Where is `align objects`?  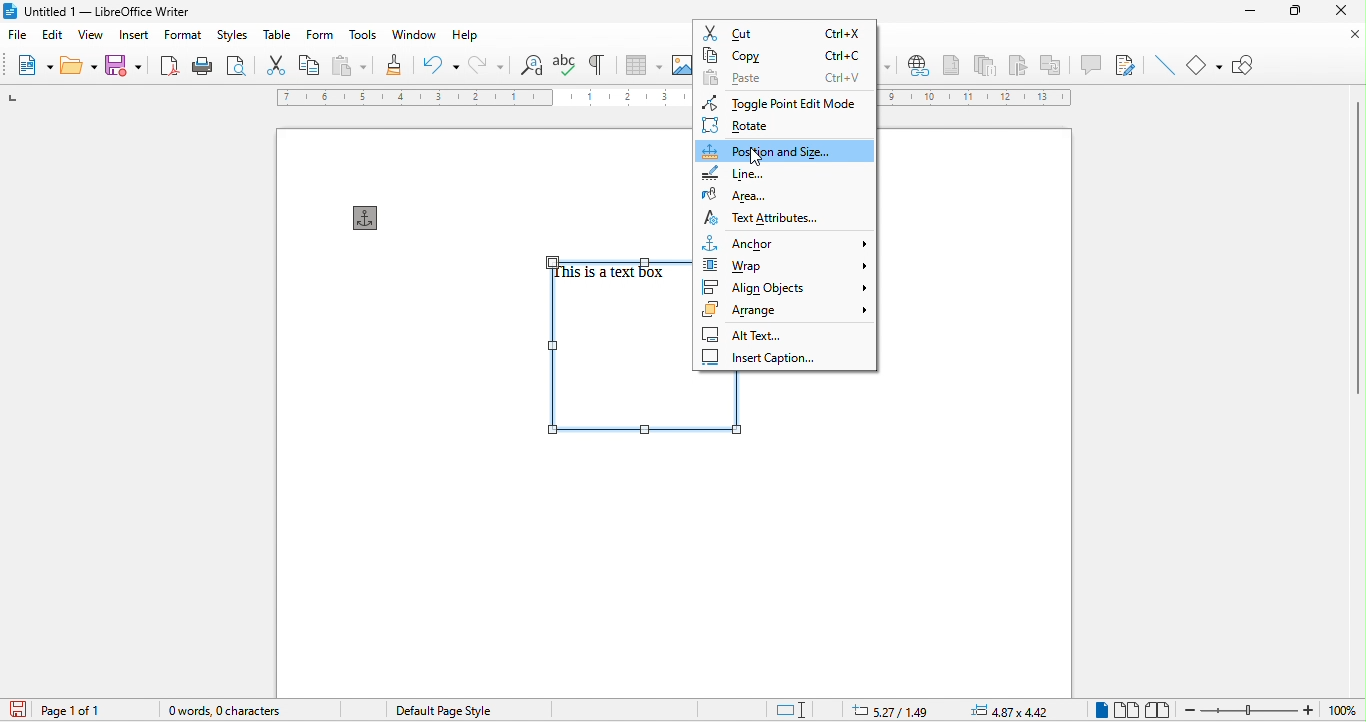
align objects is located at coordinates (785, 289).